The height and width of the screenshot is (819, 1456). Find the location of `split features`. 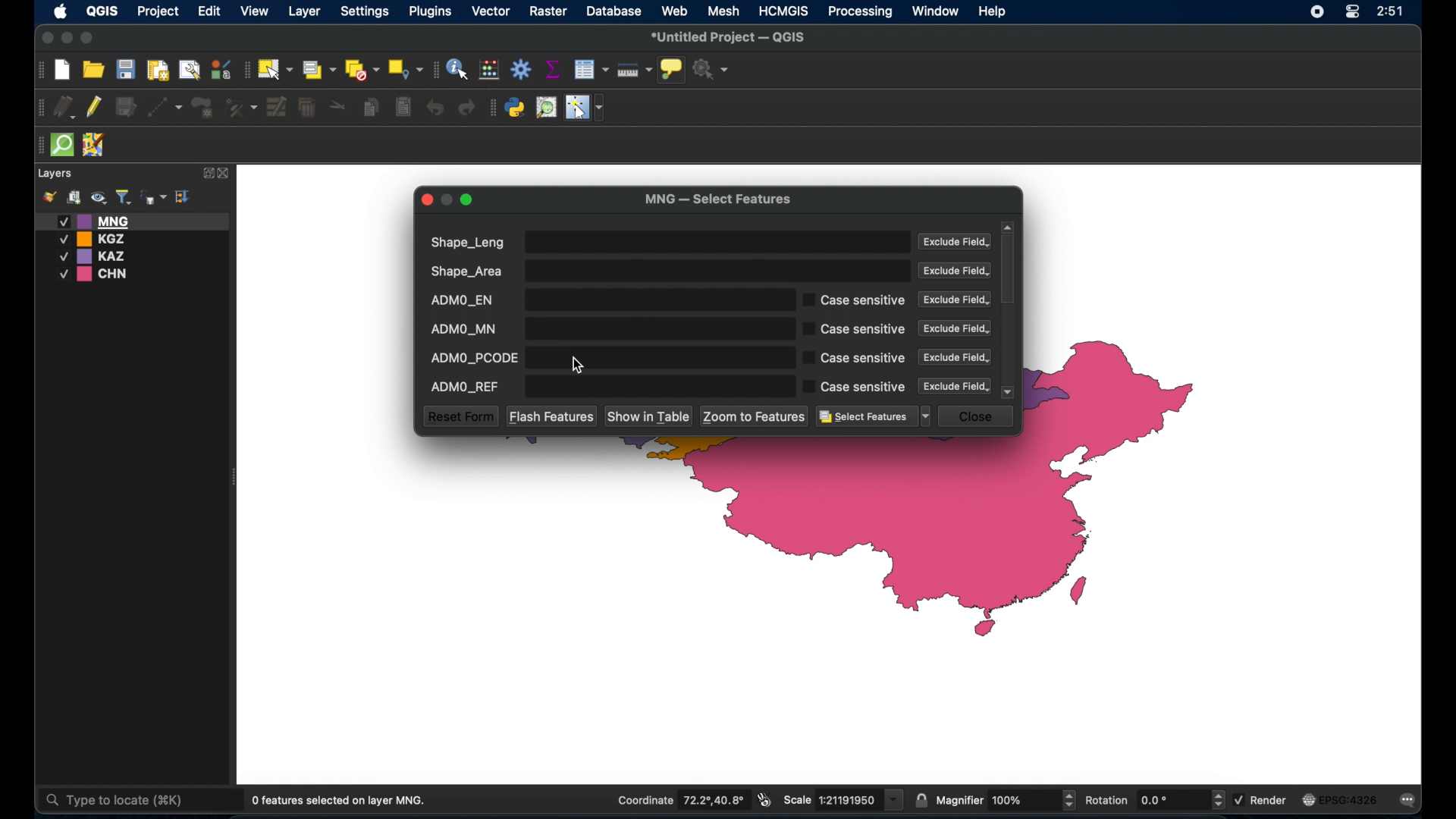

split features is located at coordinates (338, 108).